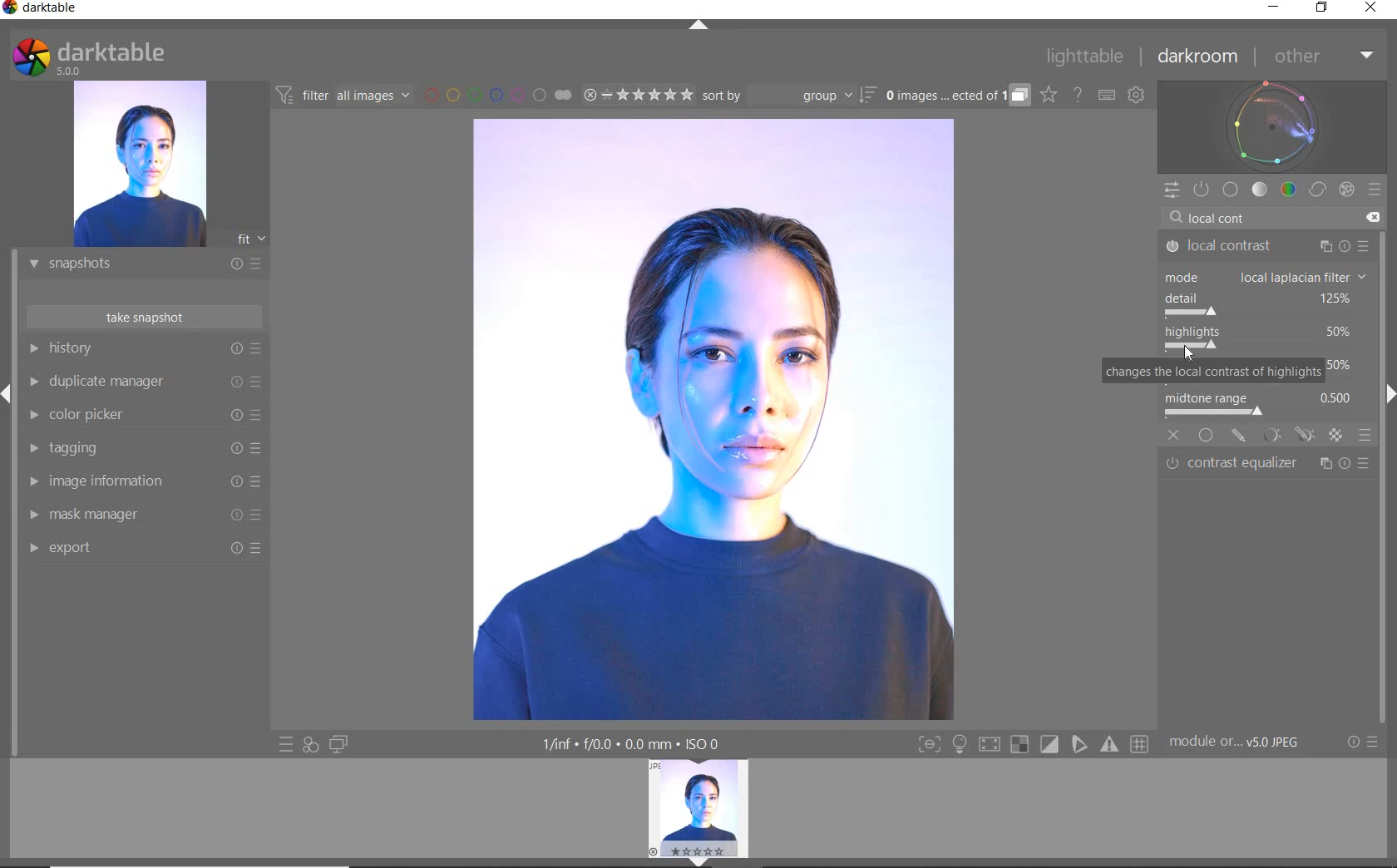 This screenshot has width=1397, height=868. Describe the element at coordinates (1111, 744) in the screenshot. I see `Button` at that location.